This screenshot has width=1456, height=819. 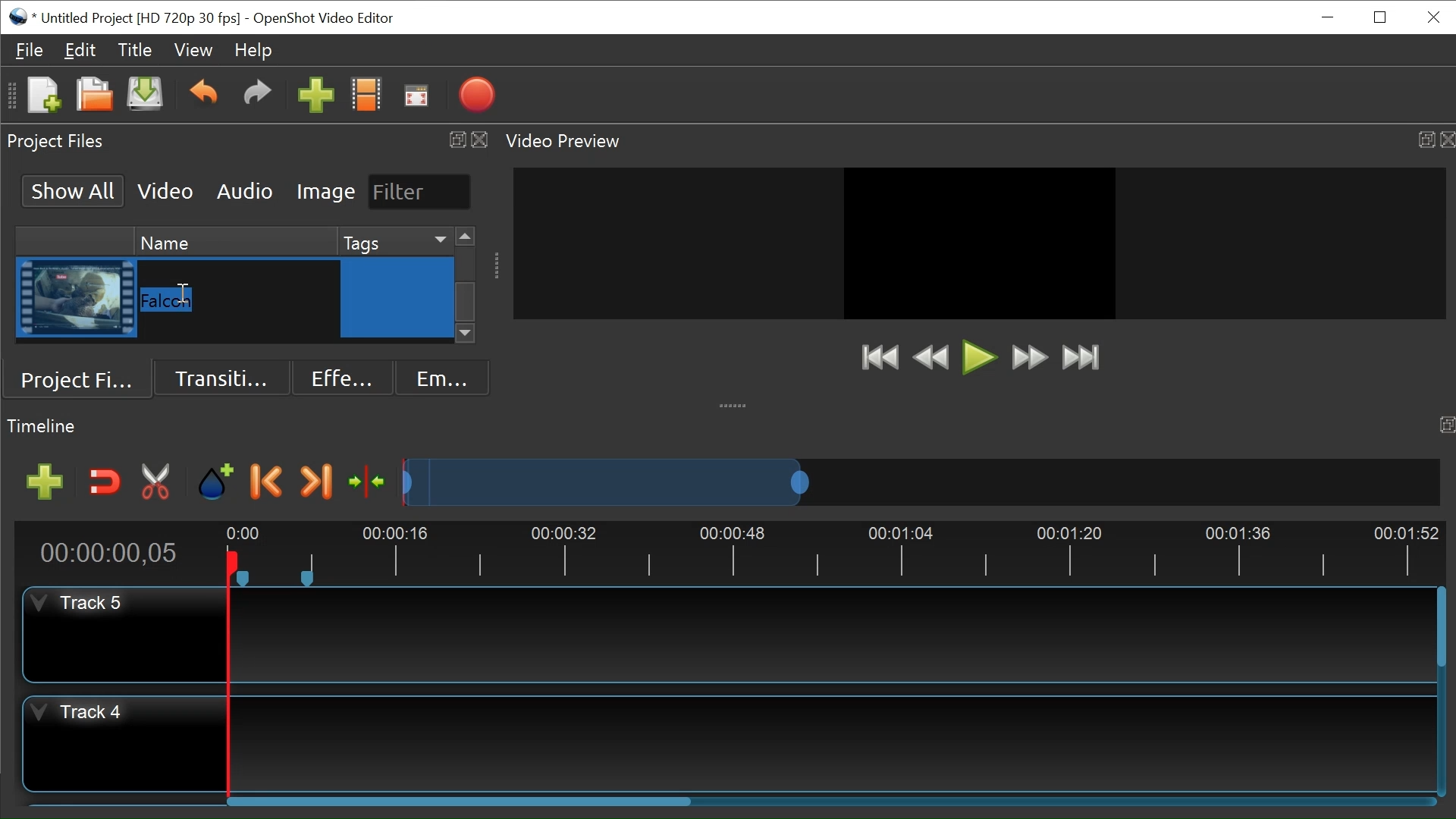 I want to click on Marker, so click(x=217, y=482).